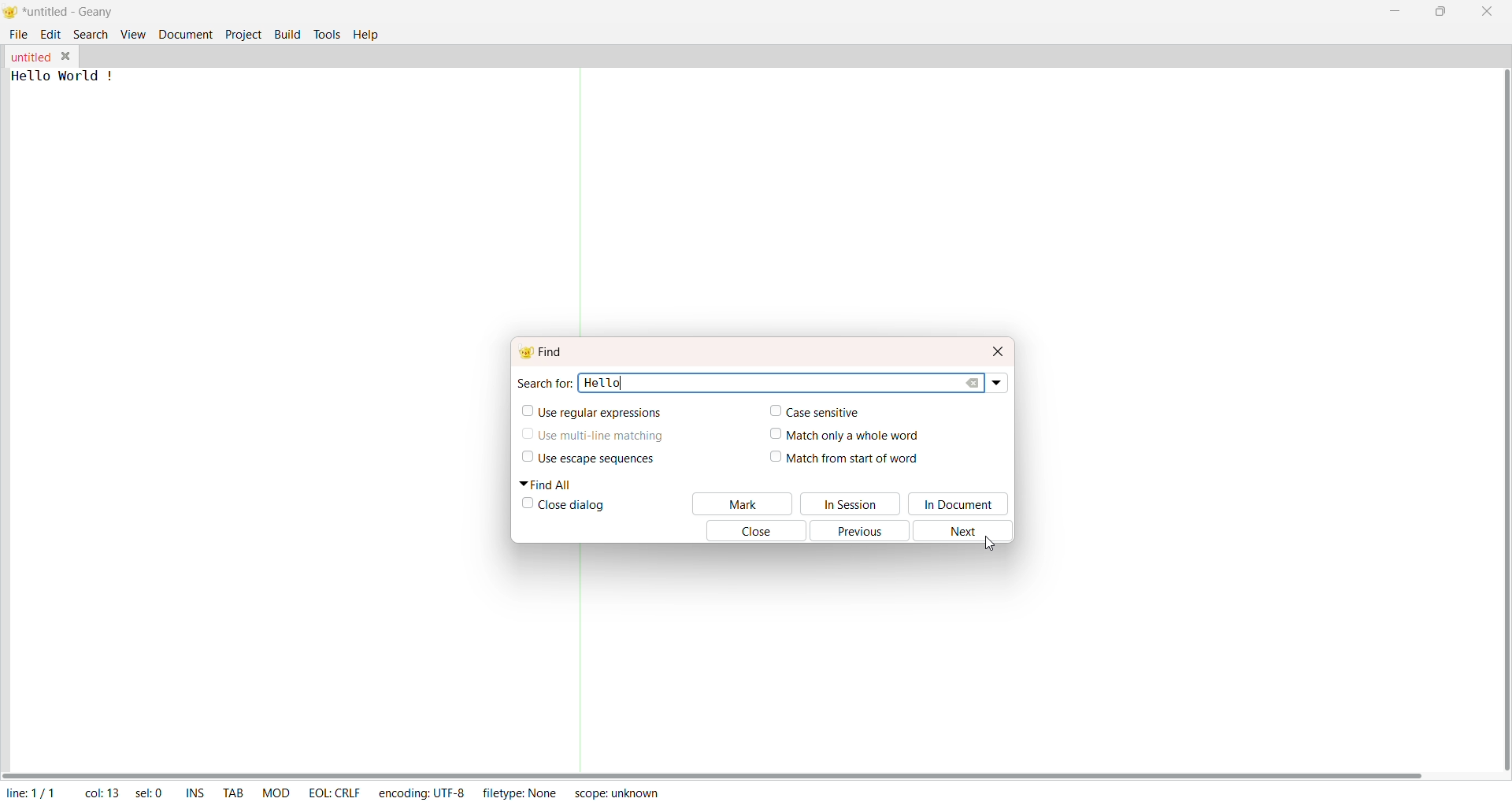 The image size is (1512, 802). What do you see at coordinates (72, 13) in the screenshot?
I see `Title` at bounding box center [72, 13].